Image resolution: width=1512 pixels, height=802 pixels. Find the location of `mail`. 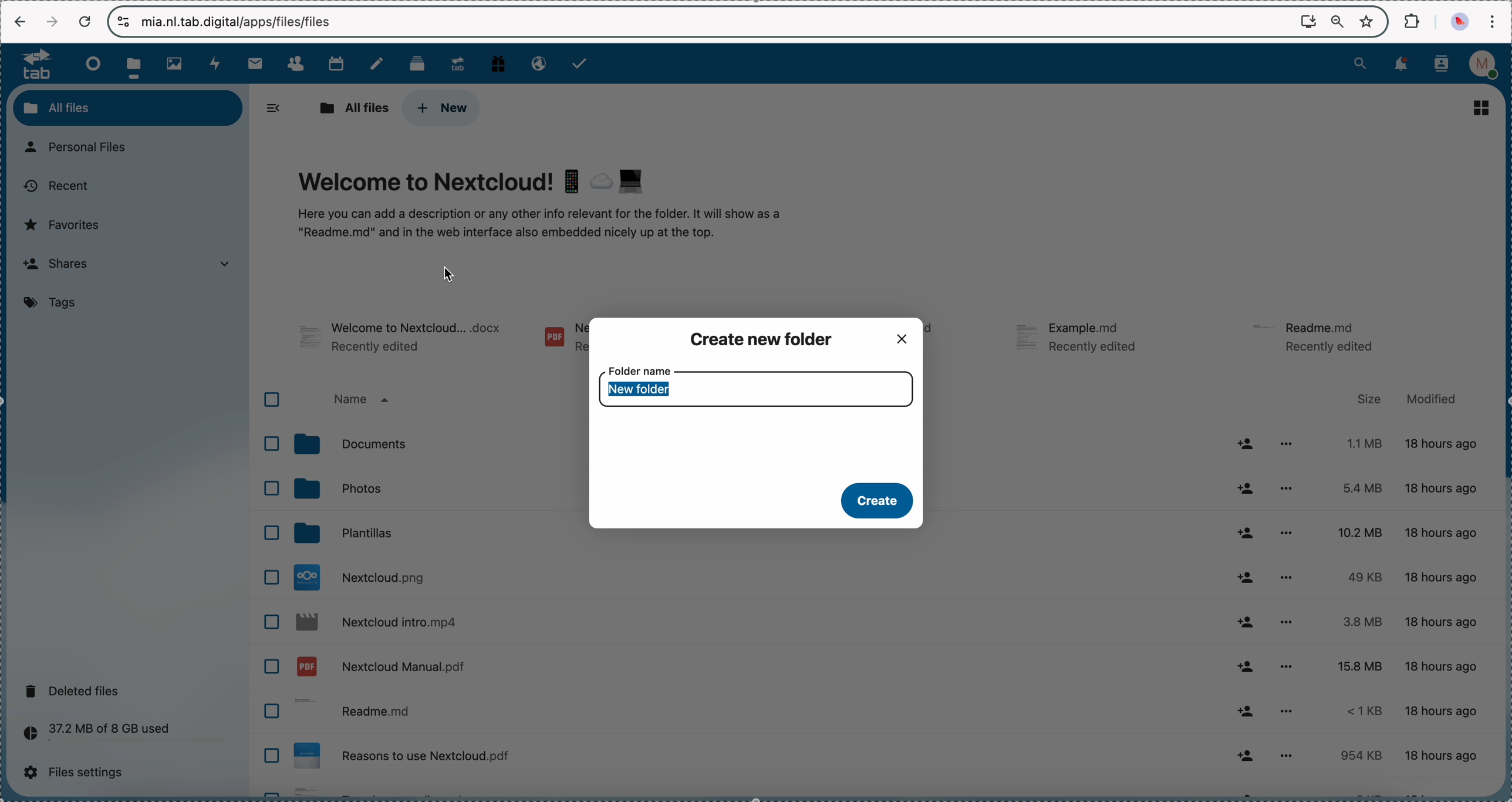

mail is located at coordinates (254, 63).